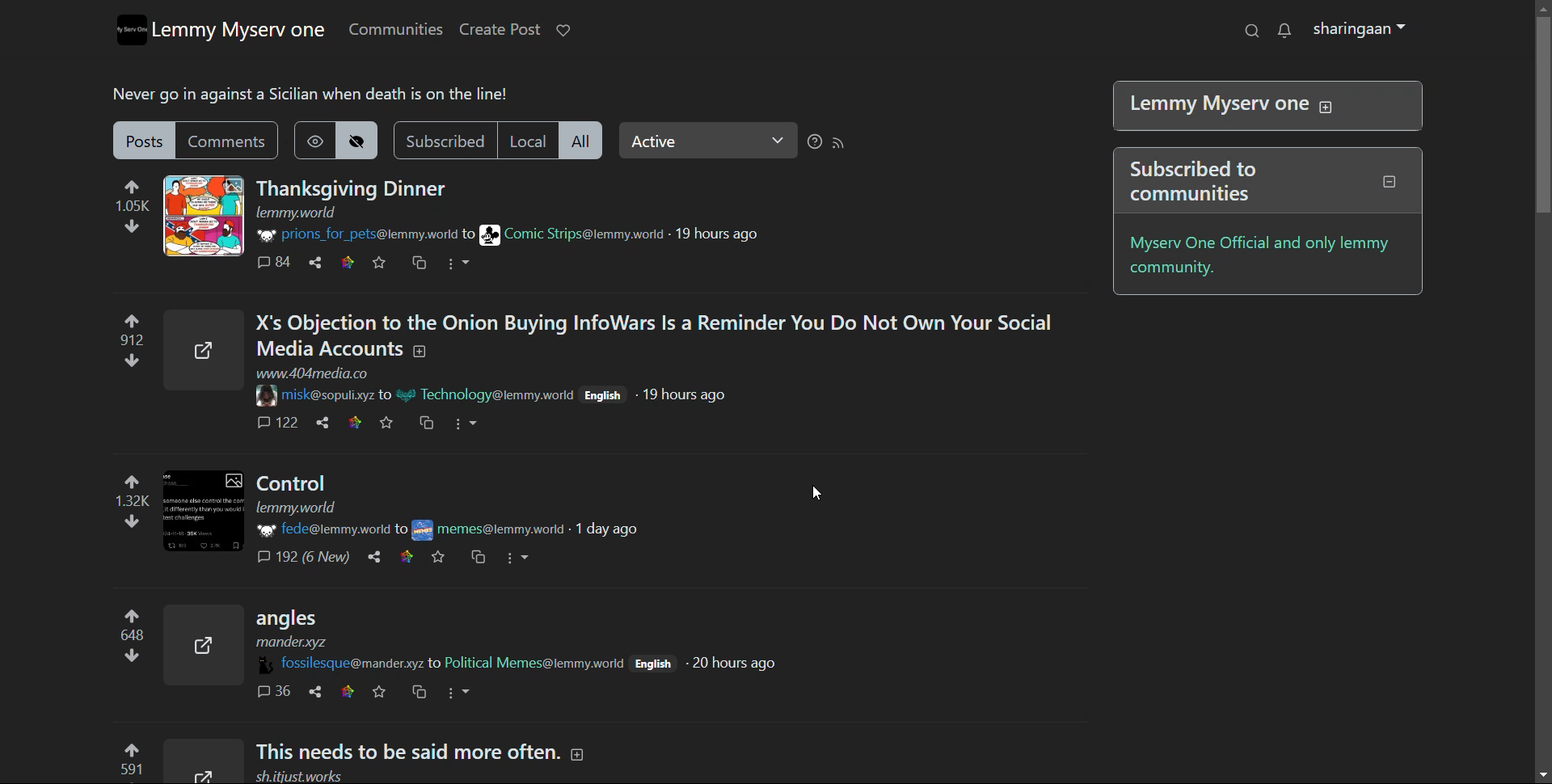 The image size is (1552, 784). What do you see at coordinates (120, 761) in the screenshot?
I see `upvote ` at bounding box center [120, 761].